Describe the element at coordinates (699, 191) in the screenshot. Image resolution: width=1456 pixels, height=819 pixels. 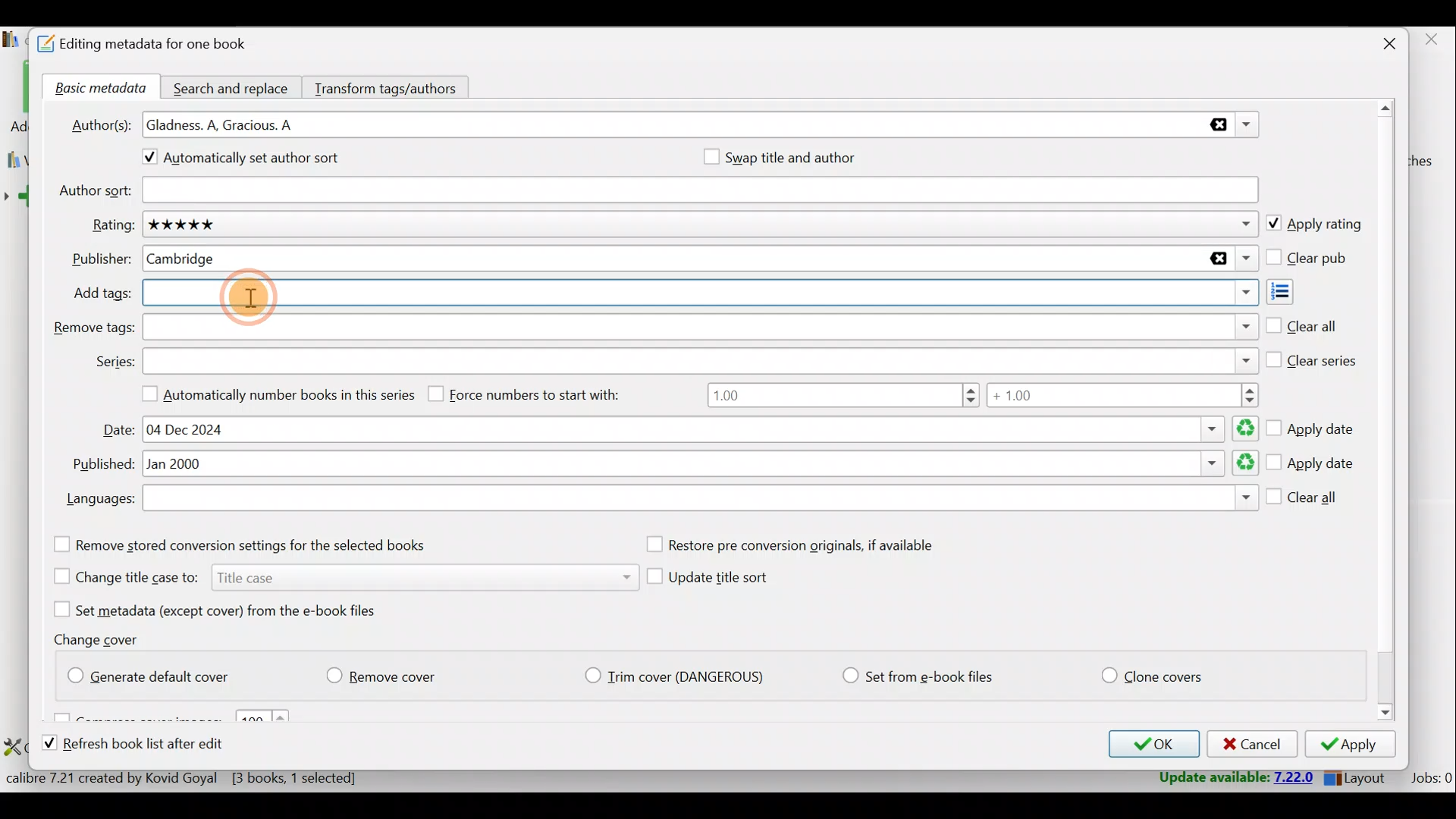
I see `Author sort` at that location.